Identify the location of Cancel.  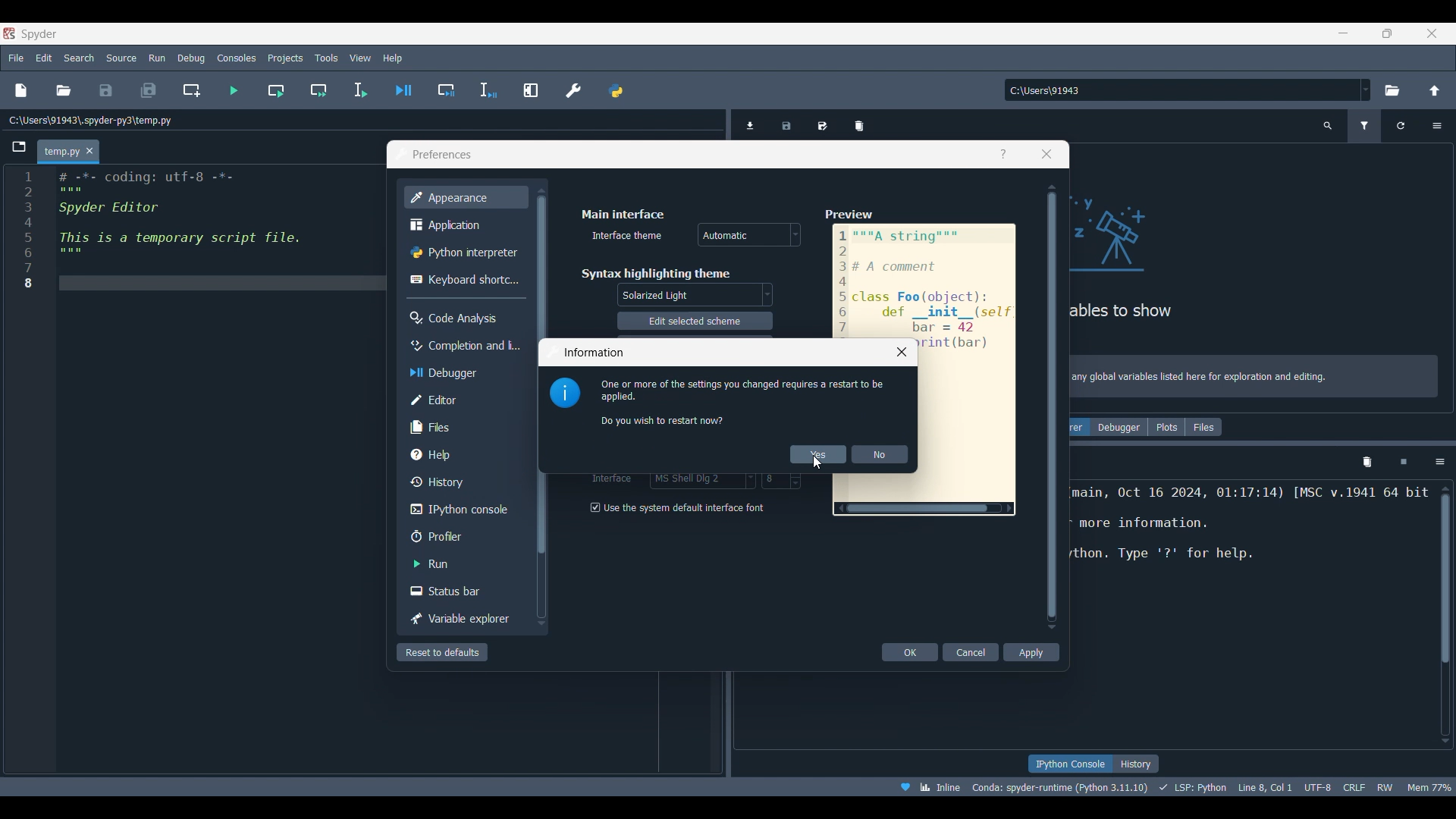
(971, 652).